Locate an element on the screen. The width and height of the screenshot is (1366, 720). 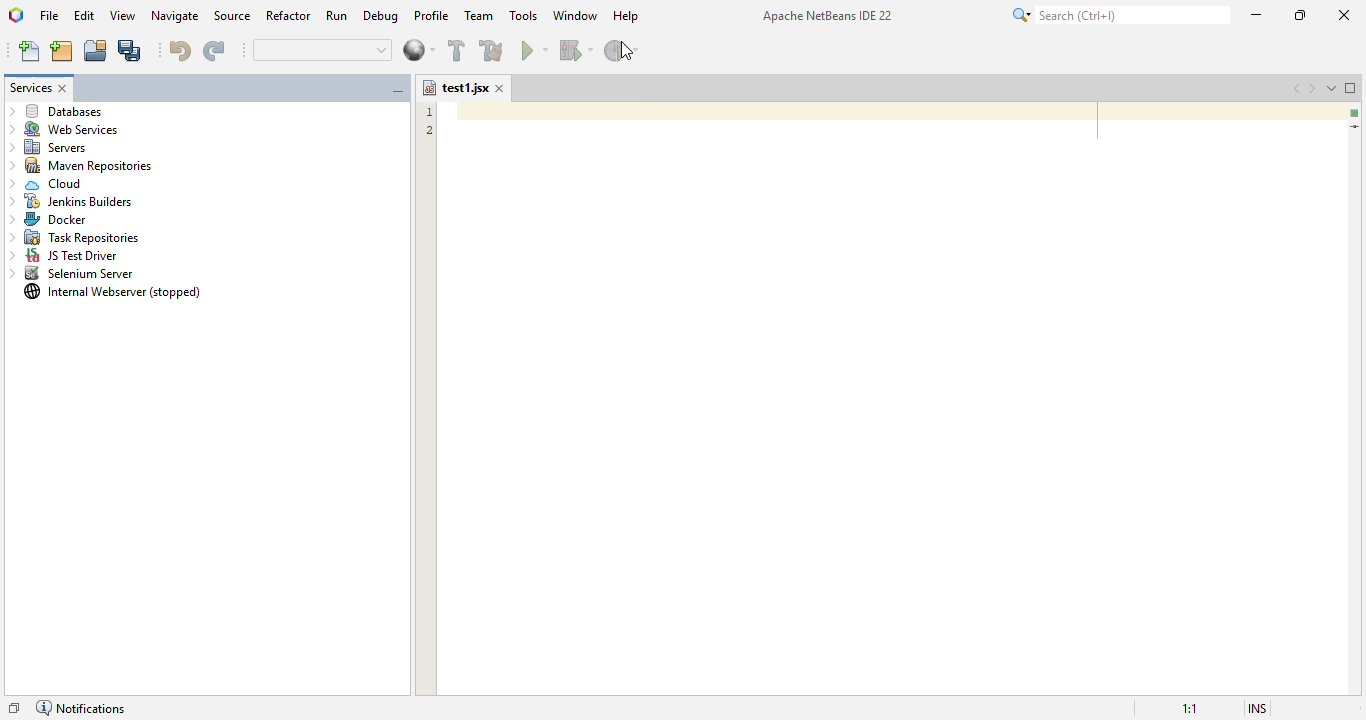
file is located at coordinates (50, 15).